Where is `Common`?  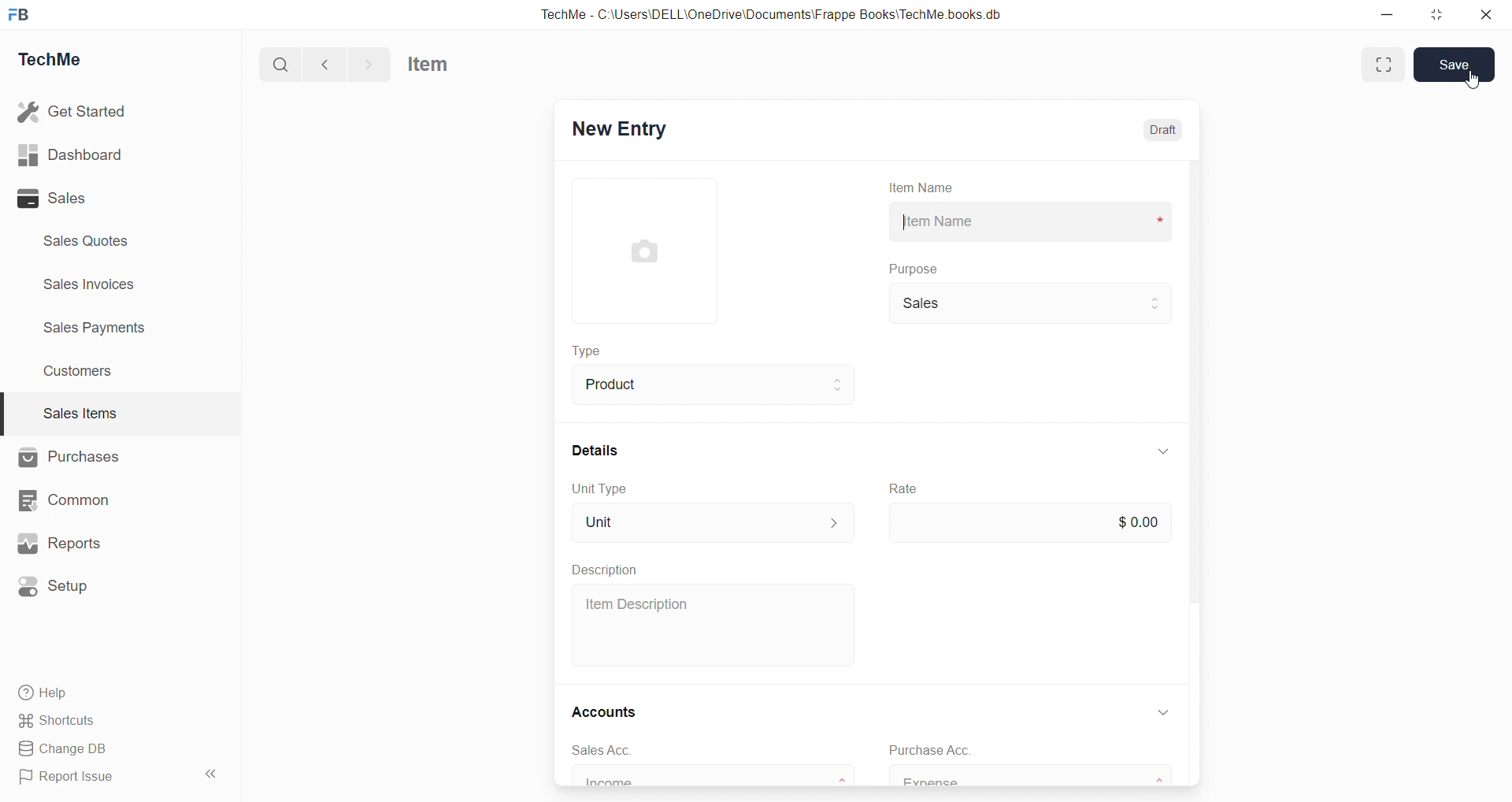
Common is located at coordinates (68, 500).